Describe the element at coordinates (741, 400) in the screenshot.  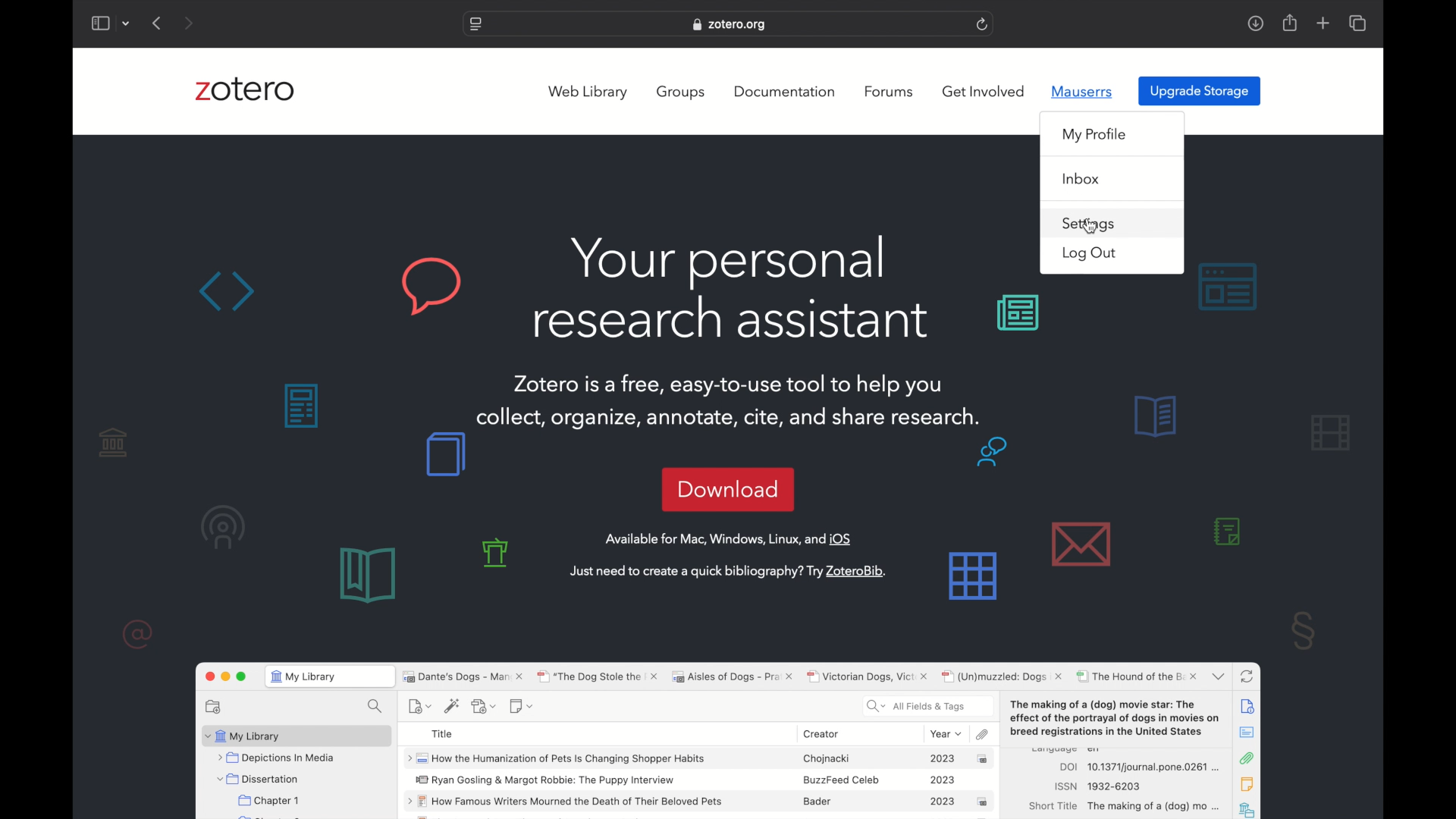
I see `Zotero is a free, easy-to-use tool to help you
collect, organize, annotate, cite, and share research.` at that location.